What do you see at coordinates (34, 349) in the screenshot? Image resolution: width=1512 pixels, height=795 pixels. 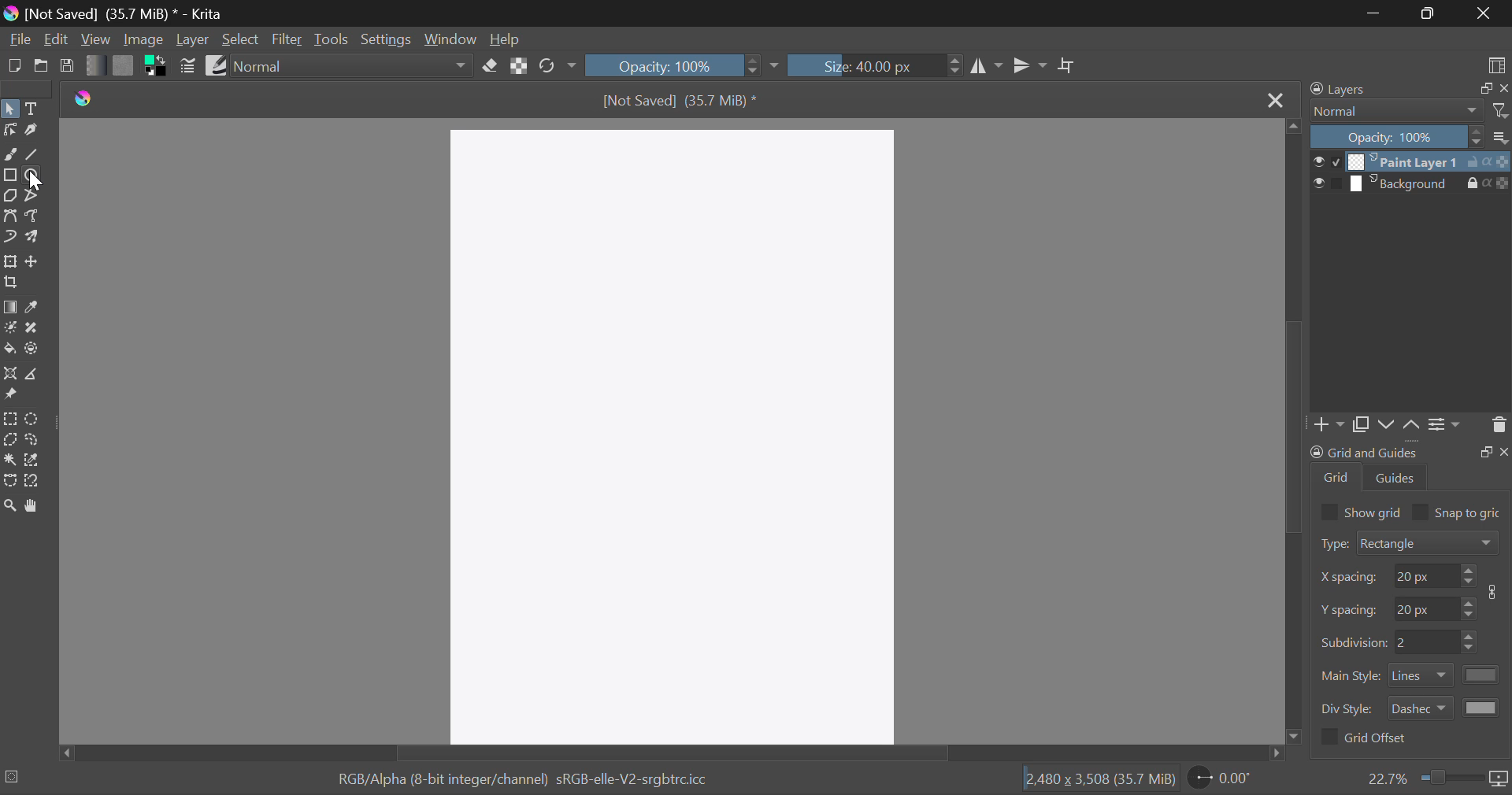 I see `Enclose and Fill` at bounding box center [34, 349].